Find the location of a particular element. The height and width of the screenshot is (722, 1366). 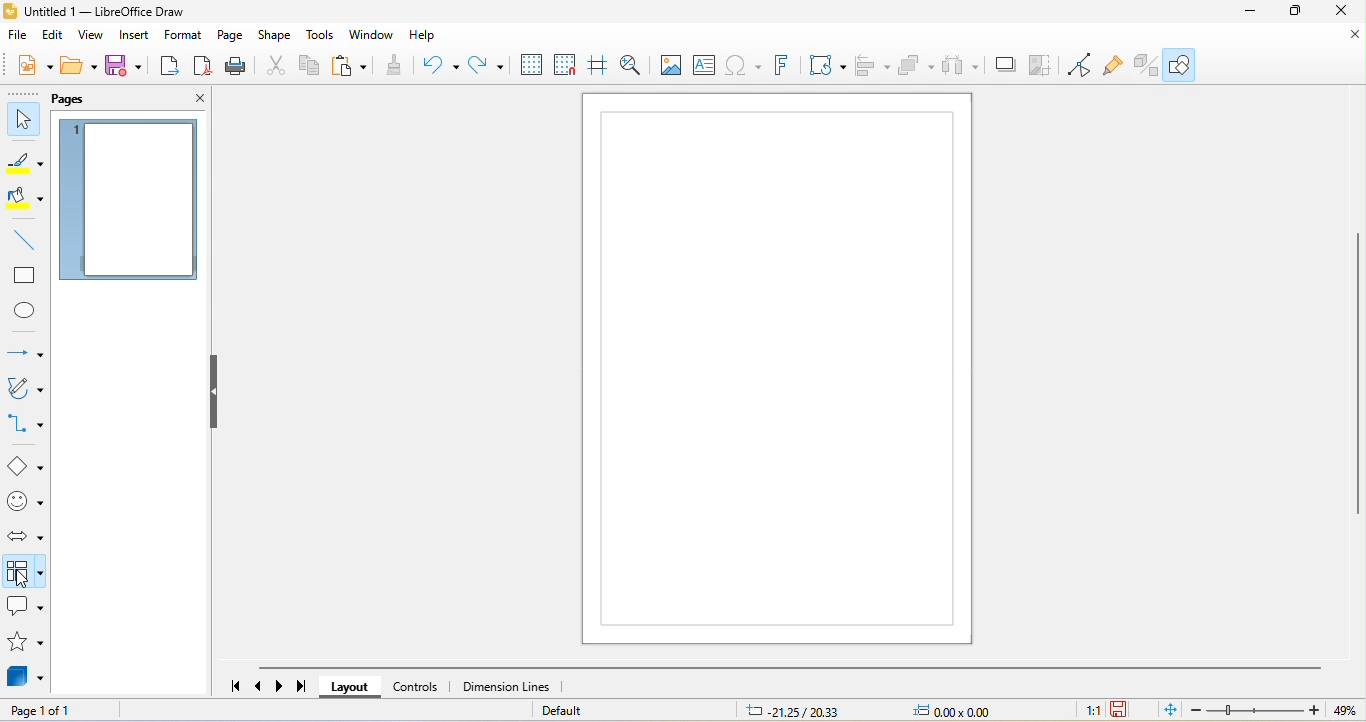

page 1 is located at coordinates (128, 202).